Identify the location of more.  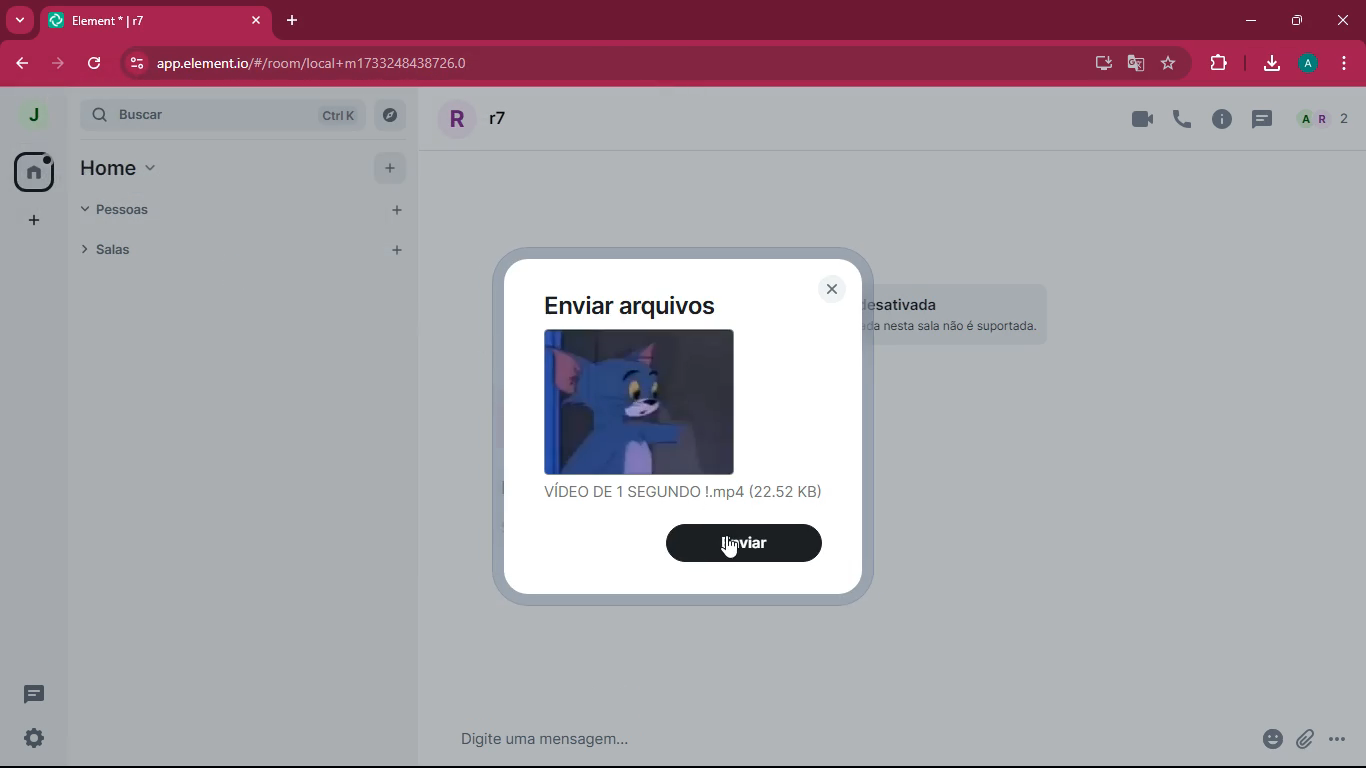
(19, 22).